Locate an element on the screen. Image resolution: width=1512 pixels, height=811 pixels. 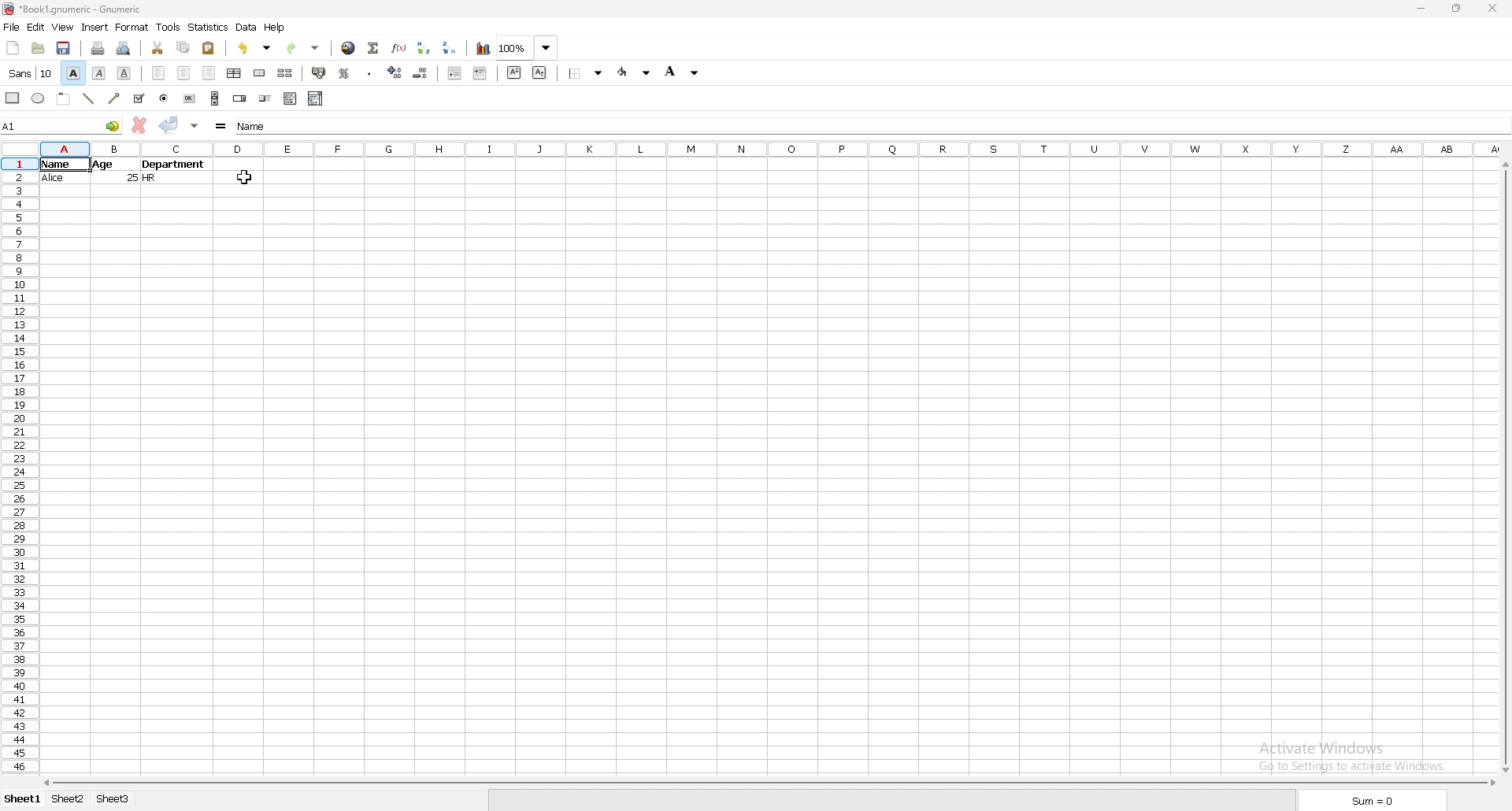
line is located at coordinates (89, 98).